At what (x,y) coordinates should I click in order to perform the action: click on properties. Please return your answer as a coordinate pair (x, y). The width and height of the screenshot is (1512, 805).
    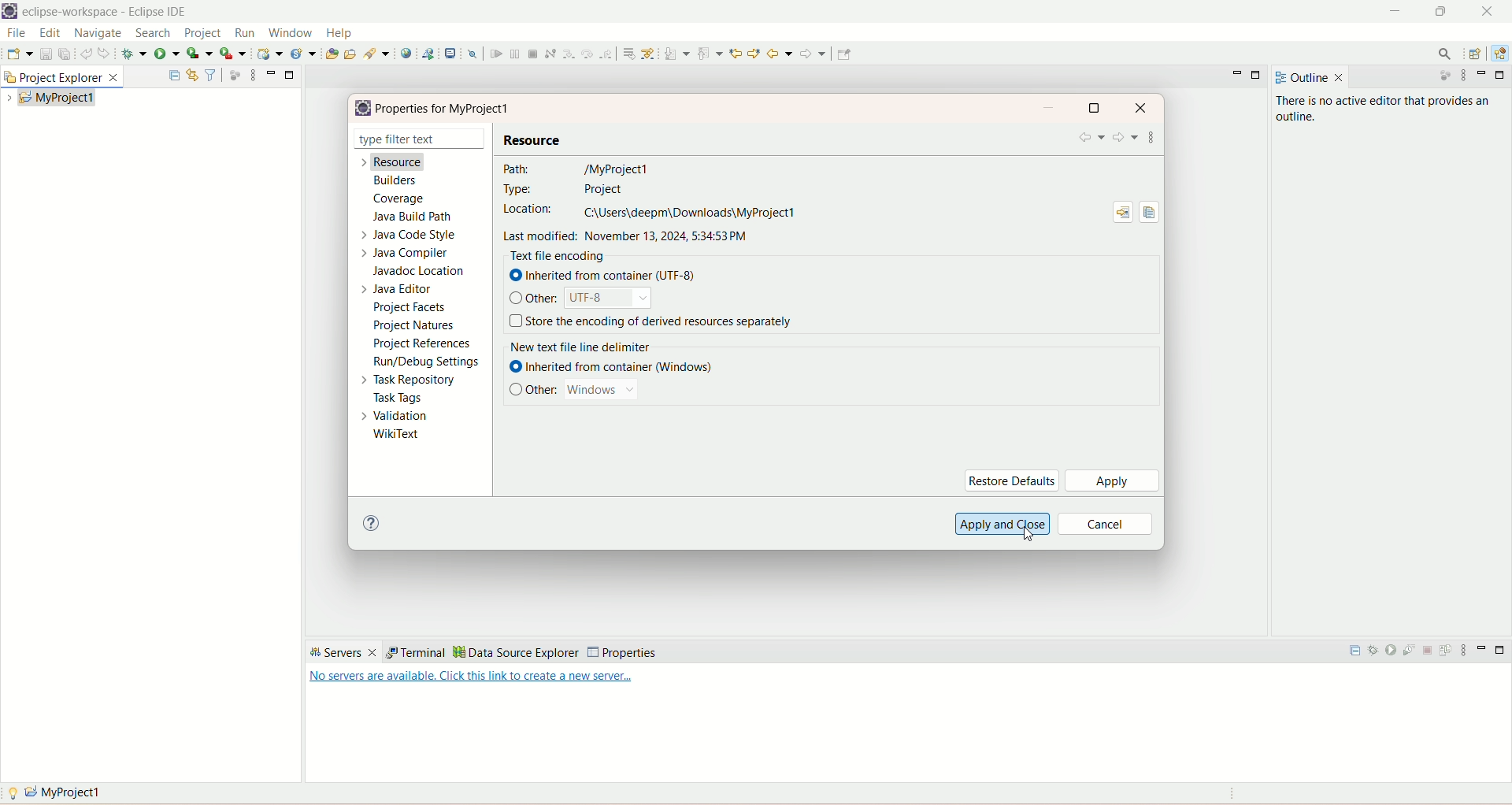
    Looking at the image, I should click on (621, 652).